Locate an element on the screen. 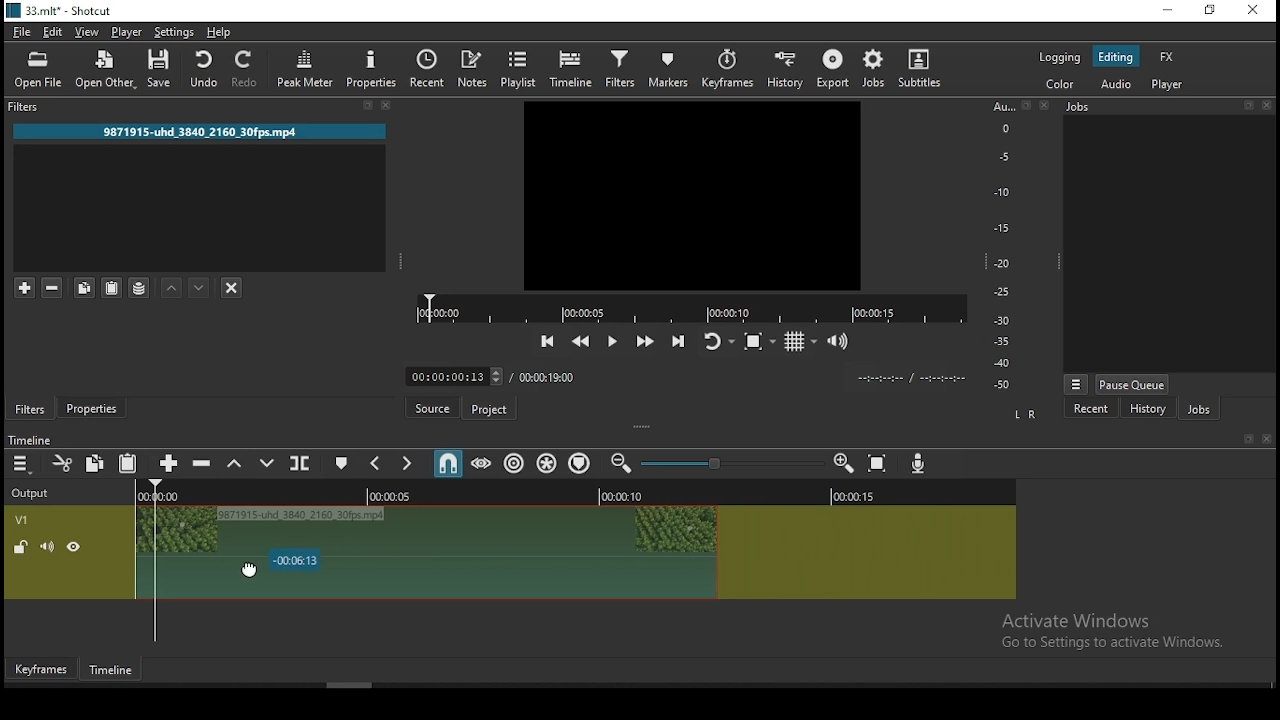  paste is located at coordinates (130, 463).